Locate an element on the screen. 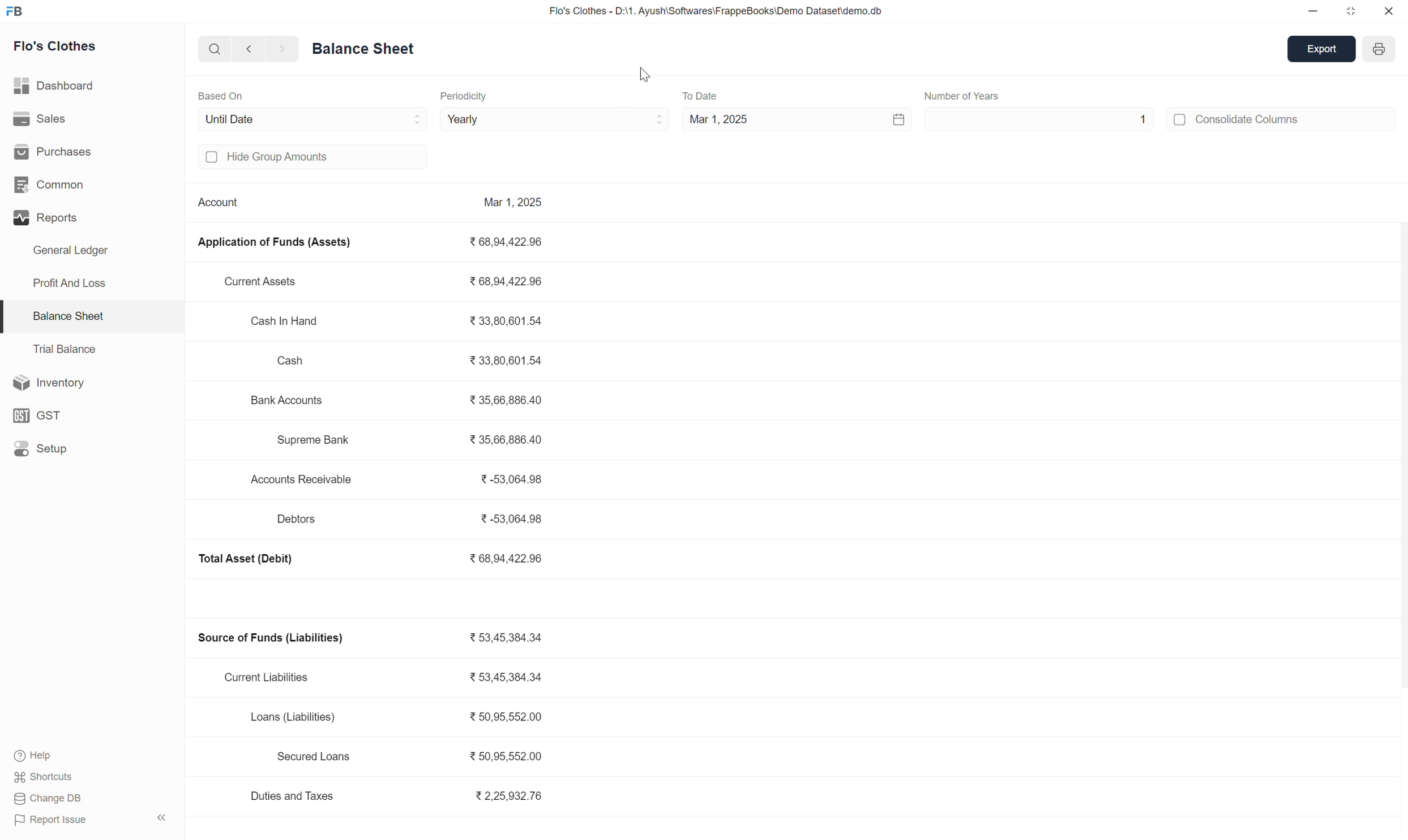 Image resolution: width=1408 pixels, height=840 pixels. FB is located at coordinates (16, 11).